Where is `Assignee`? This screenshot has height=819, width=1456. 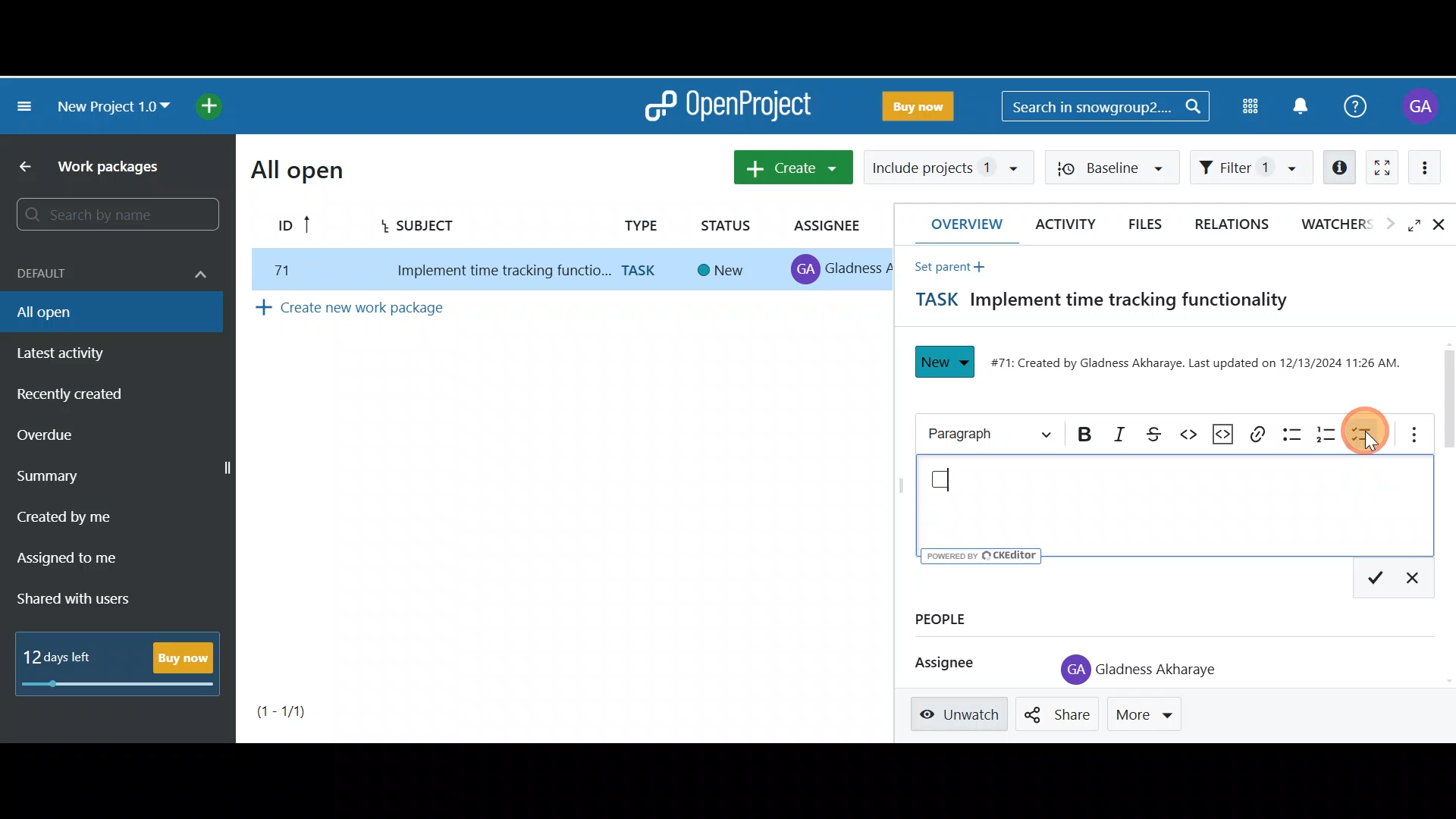 Assignee is located at coordinates (831, 226).